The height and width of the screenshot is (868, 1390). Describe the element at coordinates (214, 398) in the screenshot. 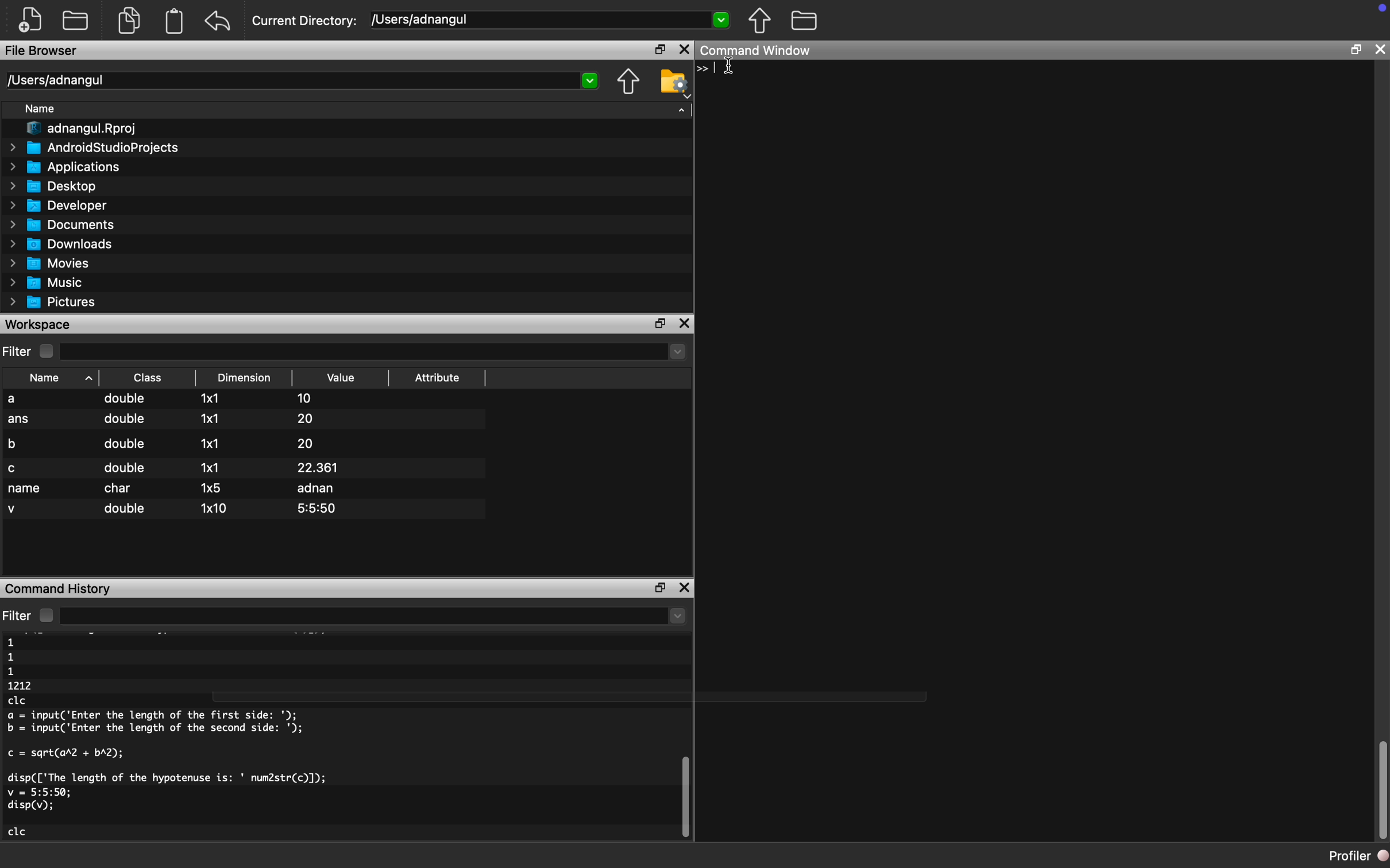

I see `1x1` at that location.